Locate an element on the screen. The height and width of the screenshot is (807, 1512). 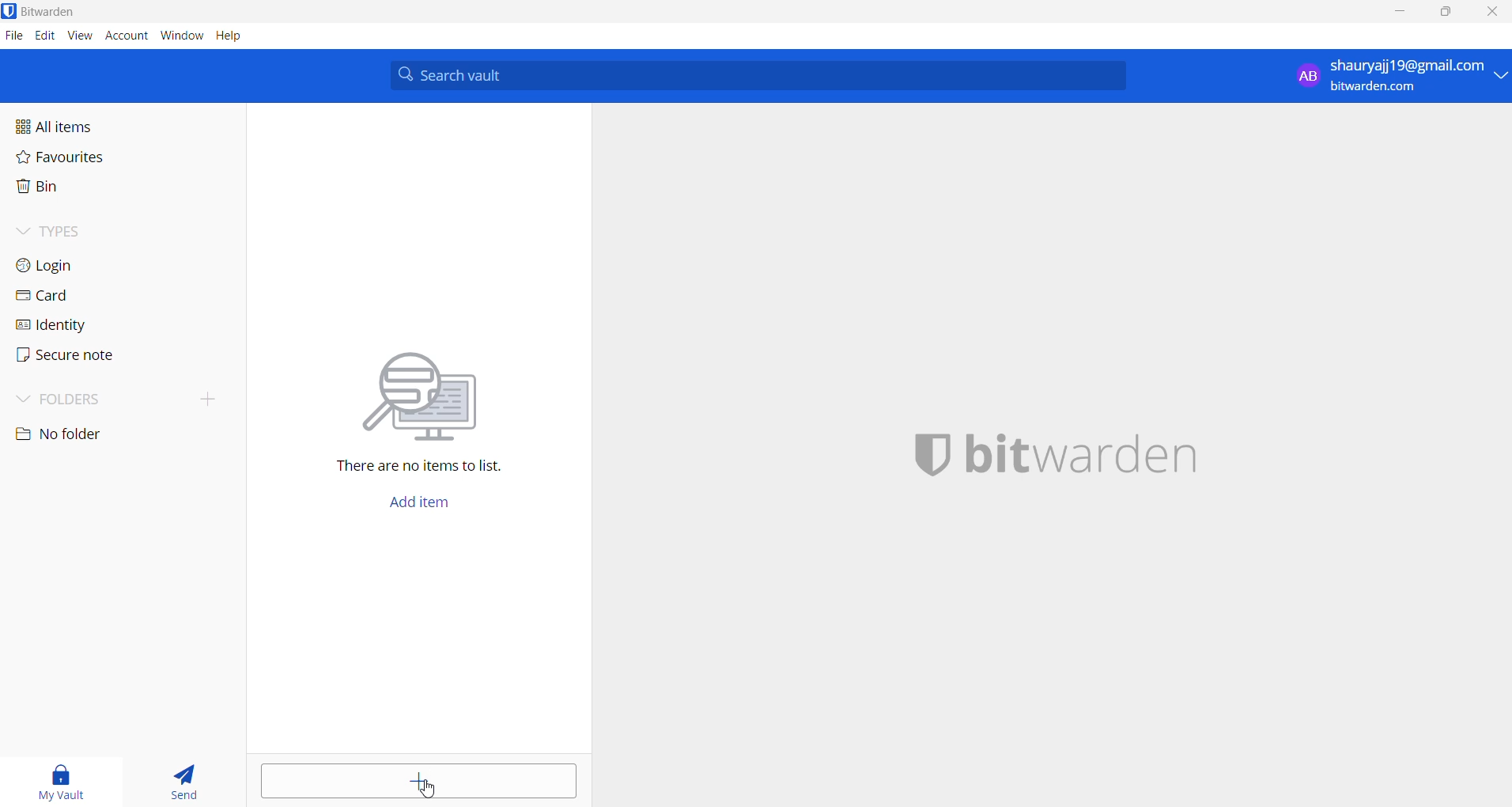
Types is located at coordinates (76, 229).